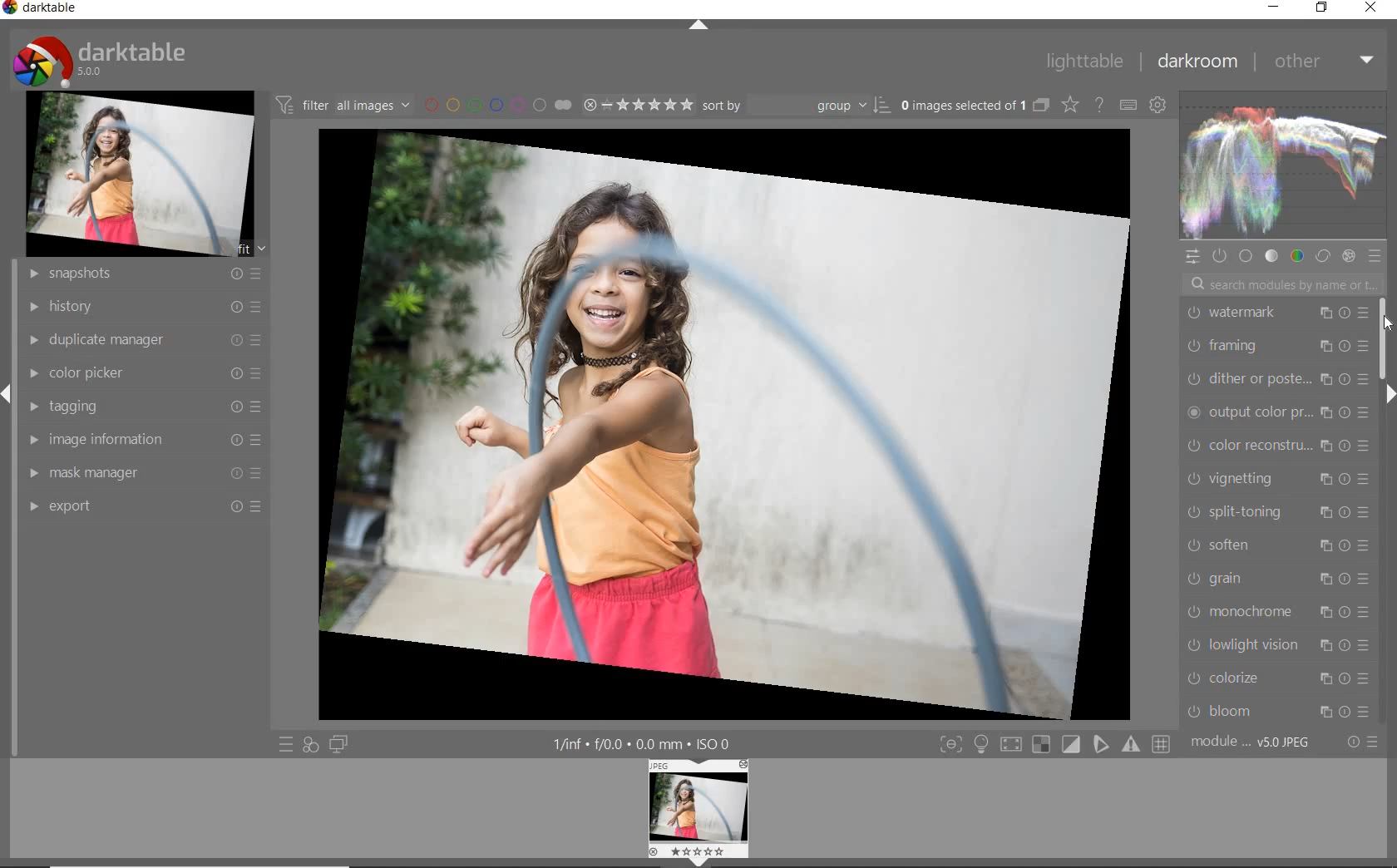  I want to click on selected image range rating, so click(635, 105).